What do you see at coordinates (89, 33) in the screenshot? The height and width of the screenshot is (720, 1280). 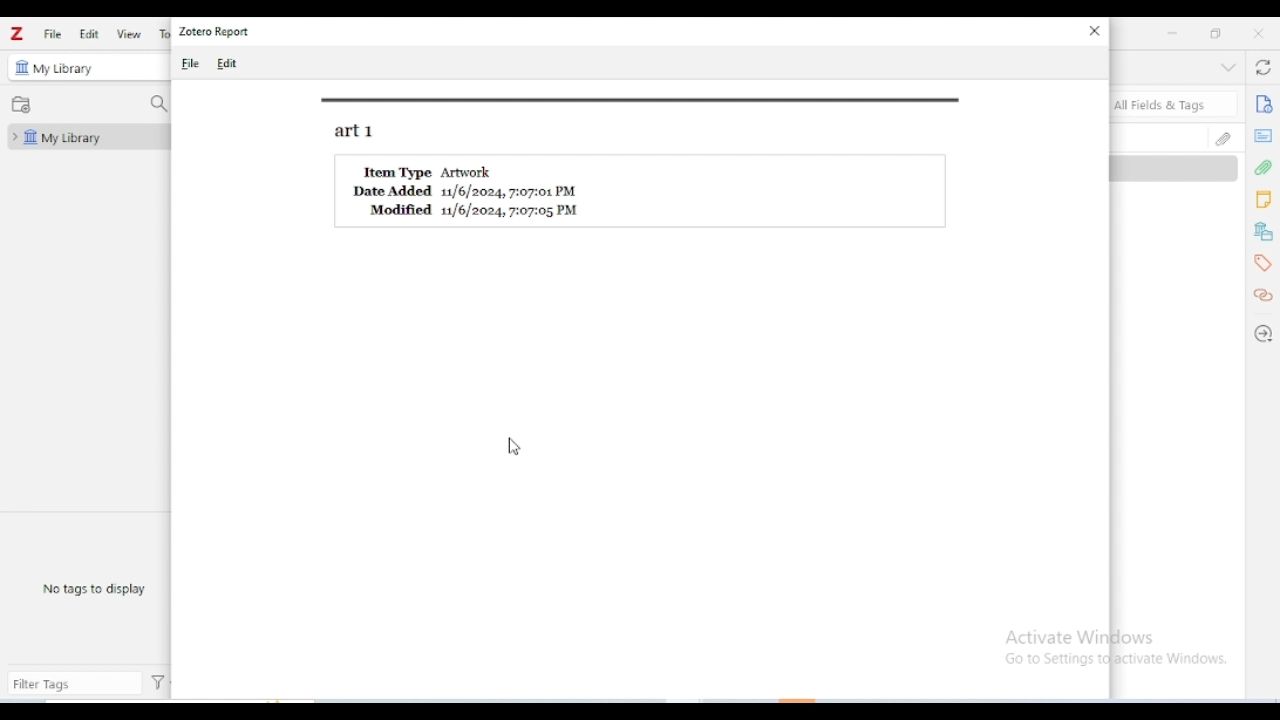 I see `edit` at bounding box center [89, 33].